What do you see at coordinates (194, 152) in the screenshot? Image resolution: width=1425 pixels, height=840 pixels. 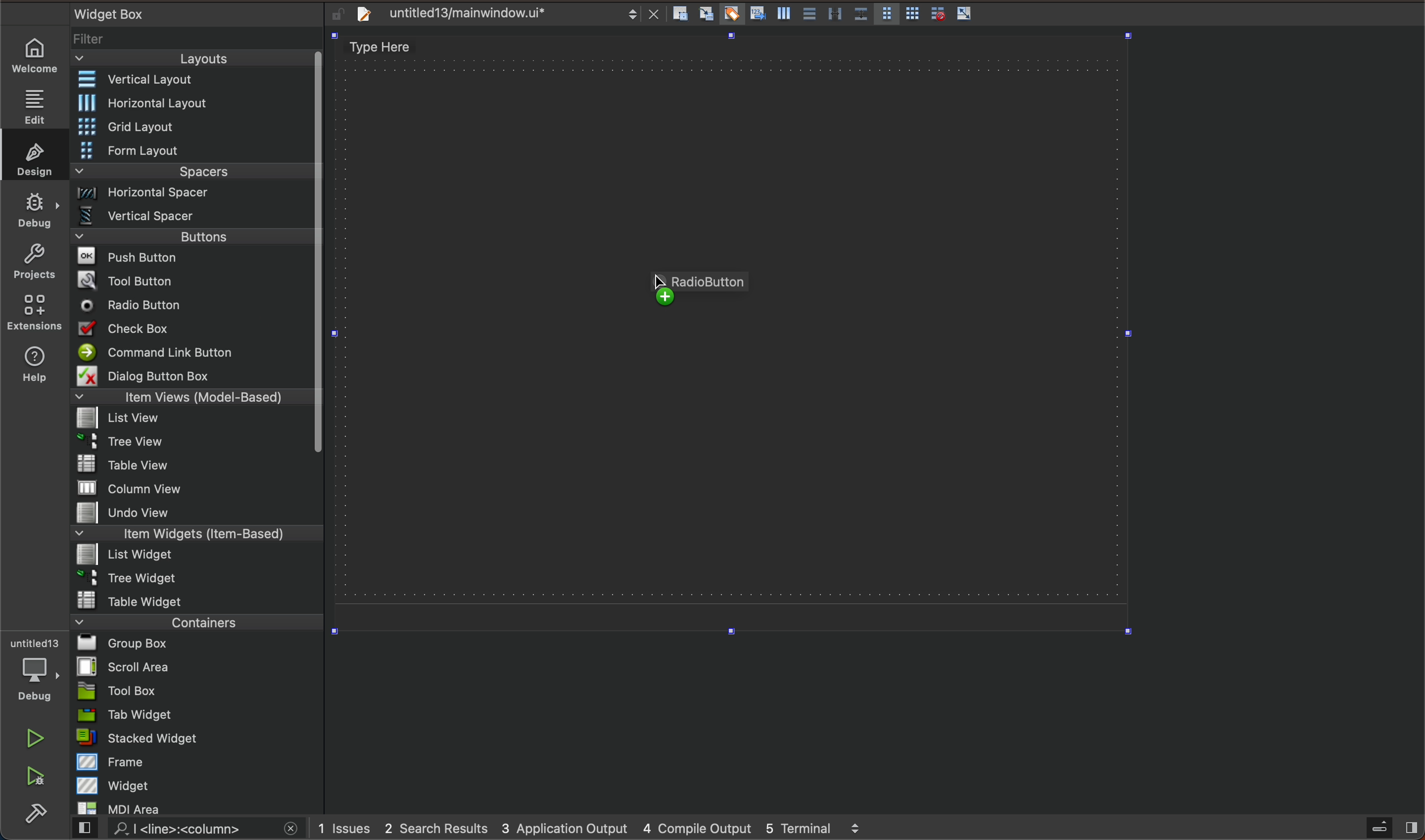 I see `` at bounding box center [194, 152].